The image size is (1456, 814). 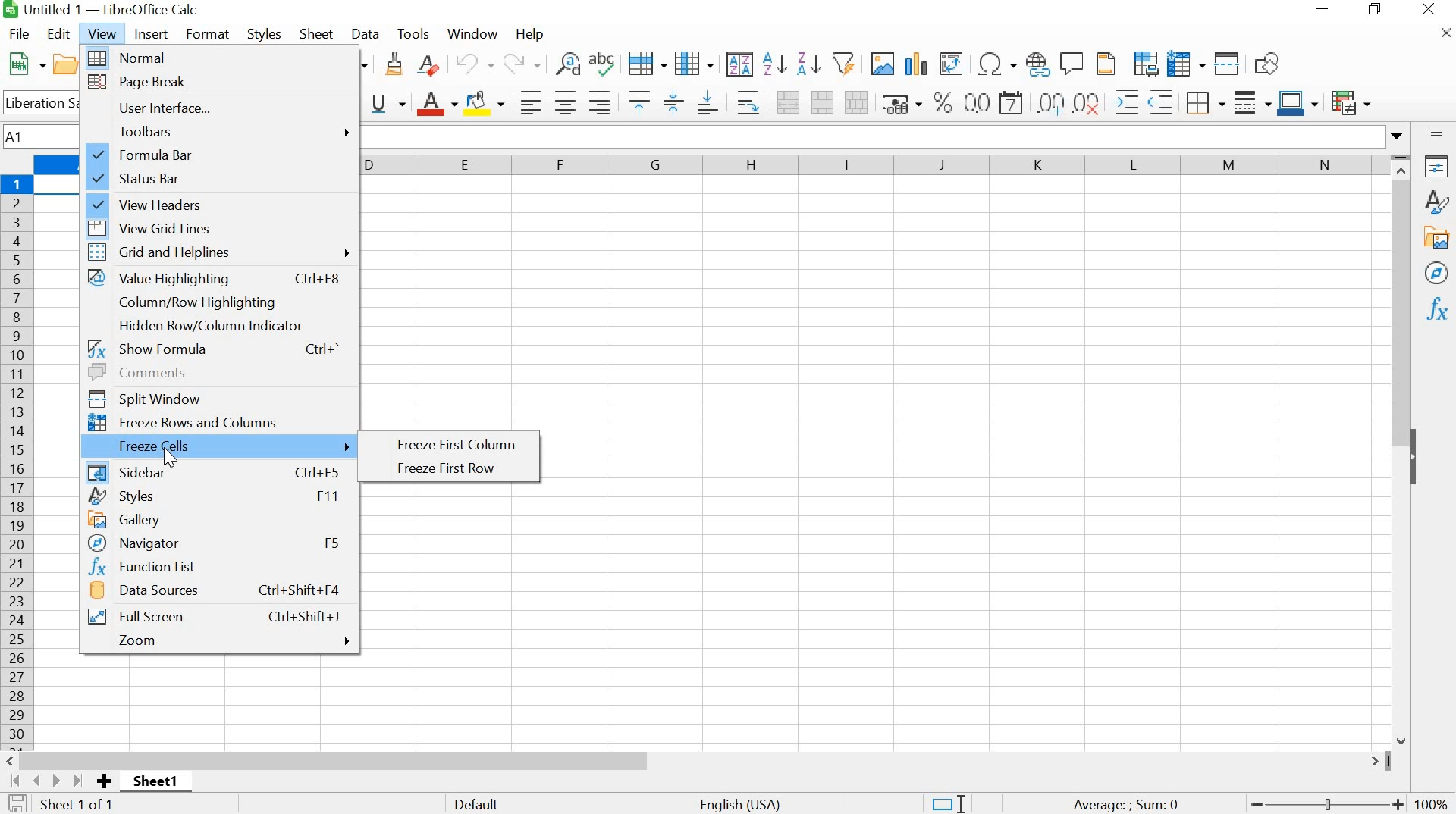 I want to click on IMAGE, so click(x=882, y=63).